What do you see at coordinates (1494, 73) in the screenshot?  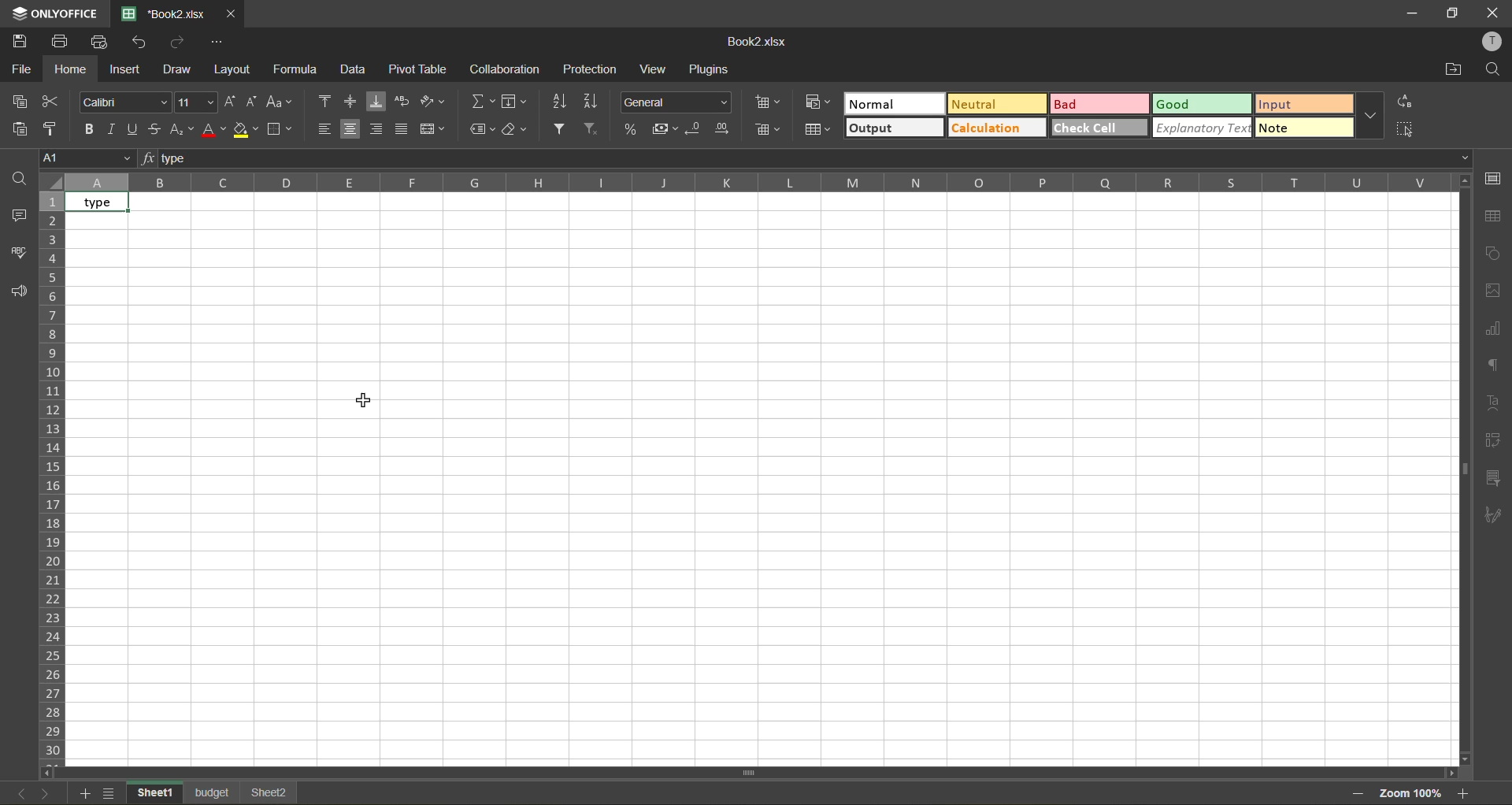 I see `find` at bounding box center [1494, 73].